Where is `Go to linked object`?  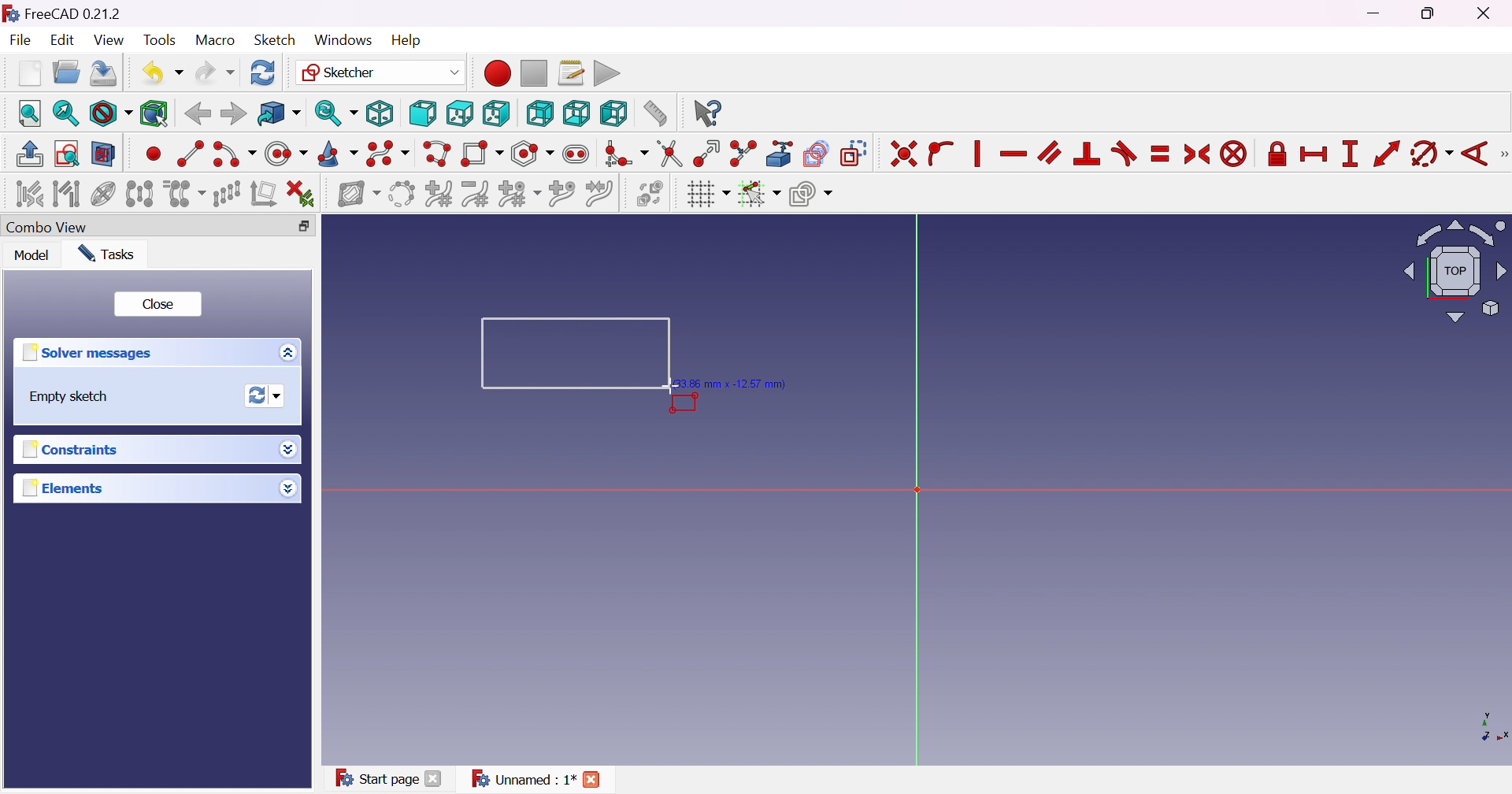
Go to linked object is located at coordinates (278, 113).